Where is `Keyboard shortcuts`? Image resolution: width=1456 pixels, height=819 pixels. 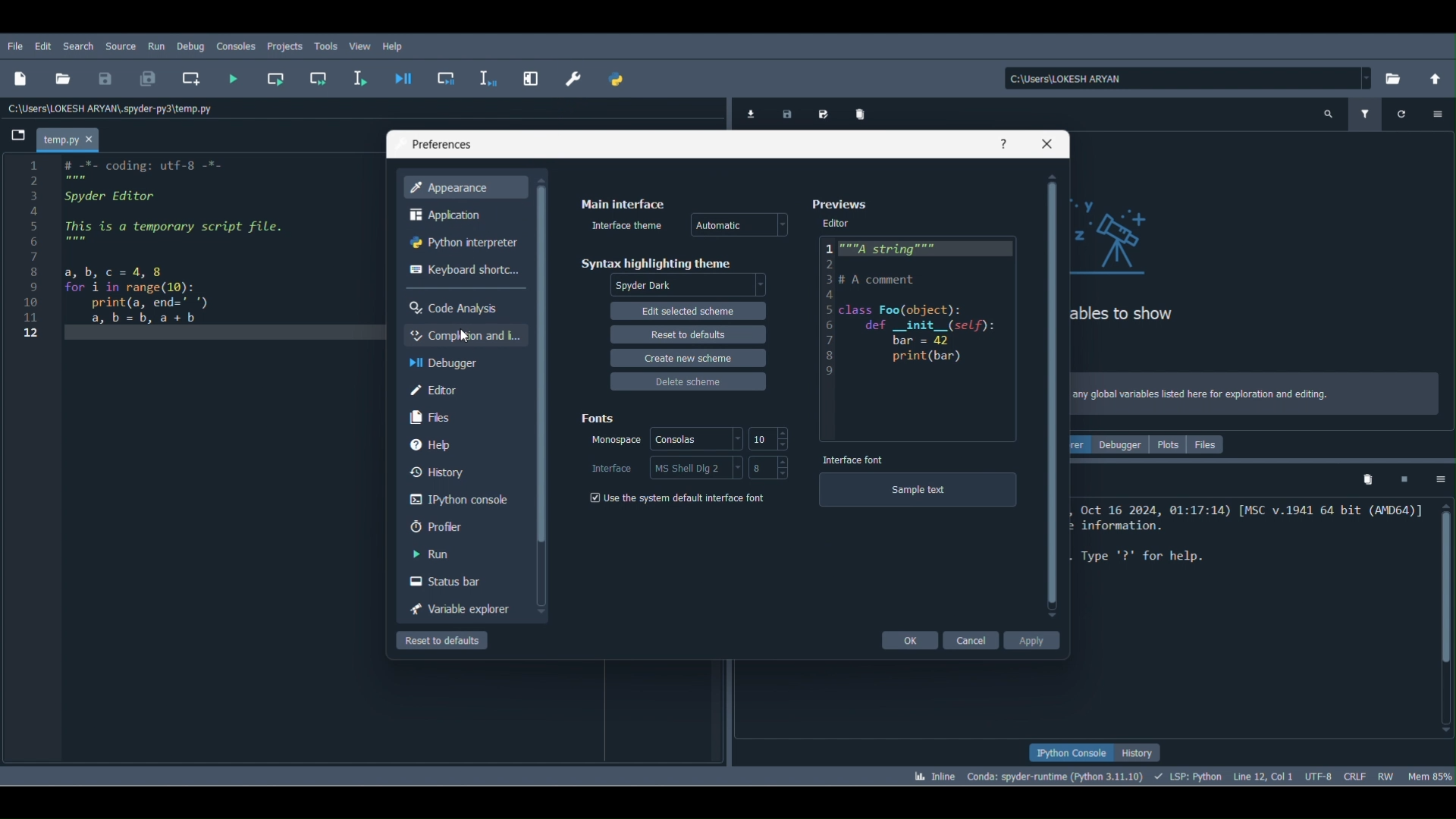 Keyboard shortcuts is located at coordinates (460, 271).